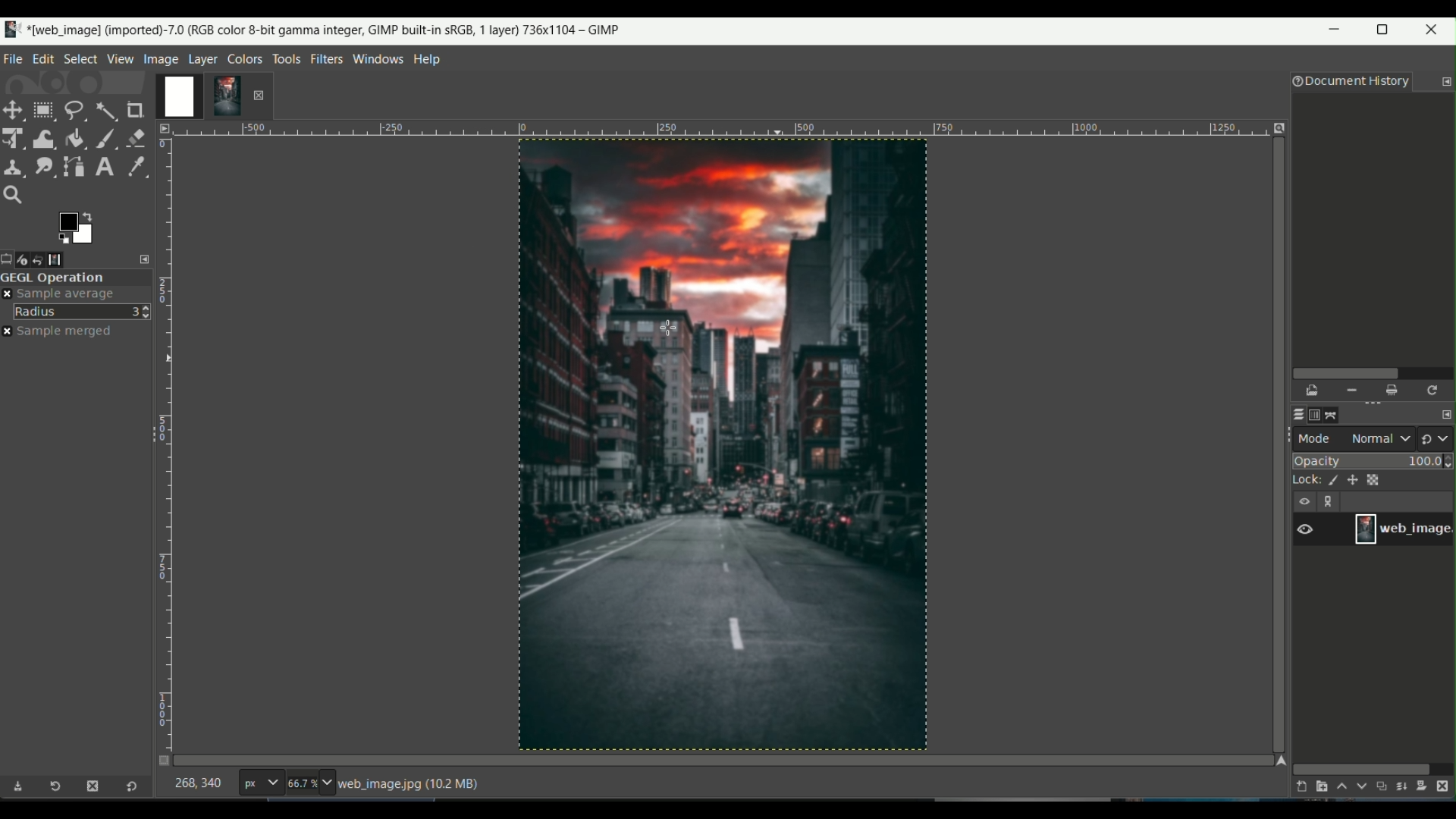 The height and width of the screenshot is (819, 1456). Describe the element at coordinates (1426, 786) in the screenshot. I see `add a mask` at that location.